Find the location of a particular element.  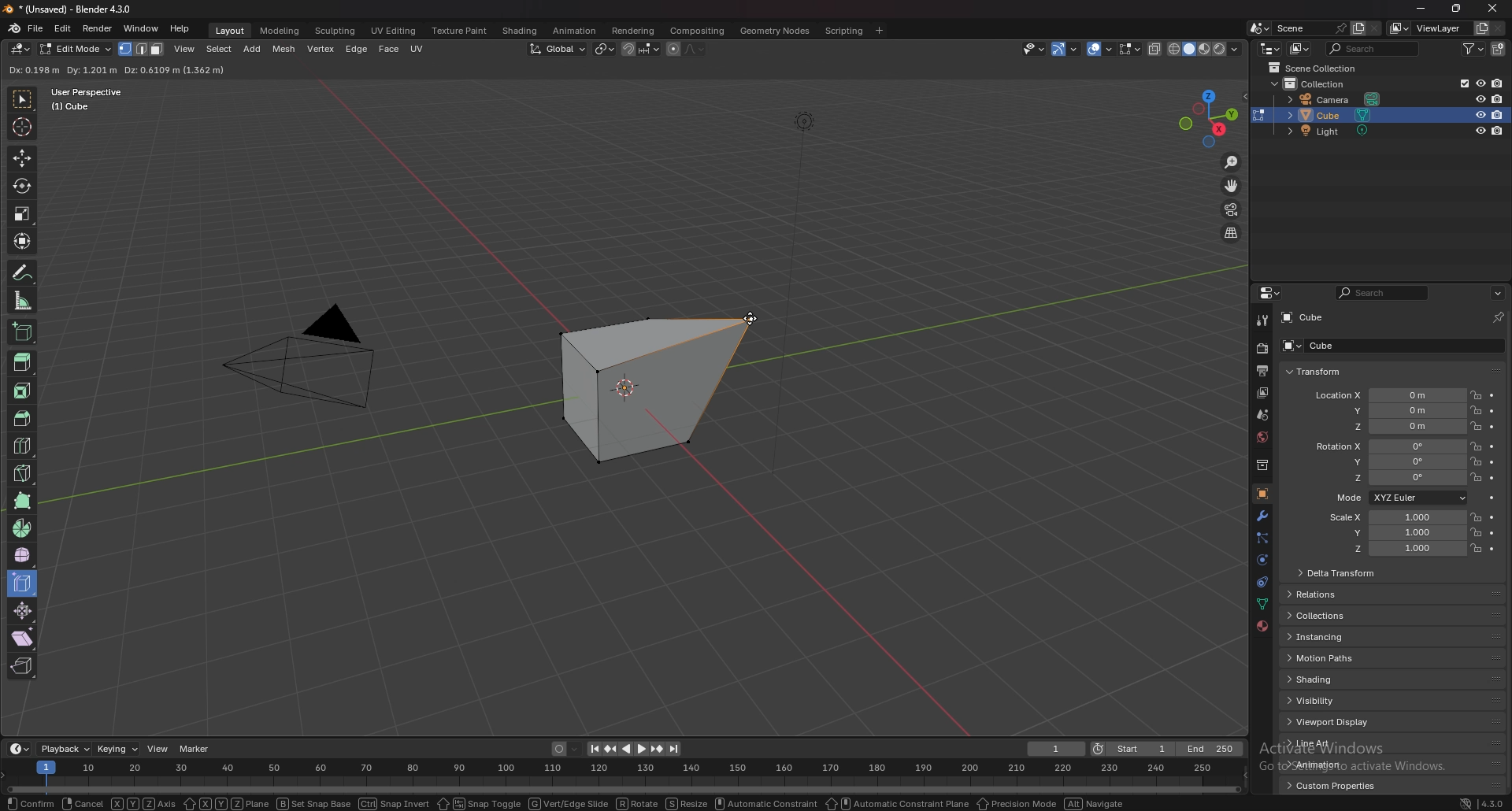

lock is located at coordinates (1476, 394).